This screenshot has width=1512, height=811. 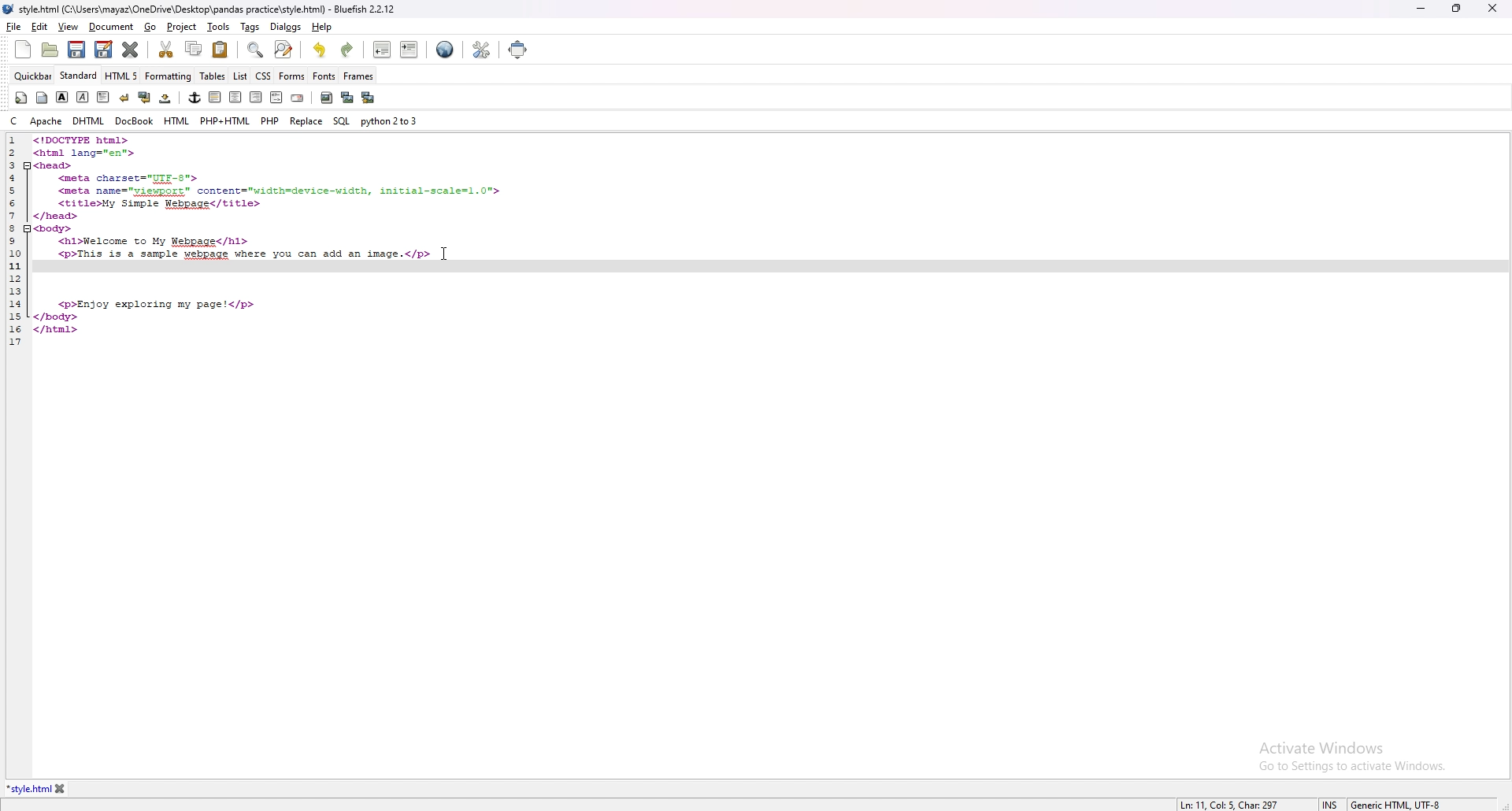 What do you see at coordinates (24, 50) in the screenshot?
I see `new` at bounding box center [24, 50].